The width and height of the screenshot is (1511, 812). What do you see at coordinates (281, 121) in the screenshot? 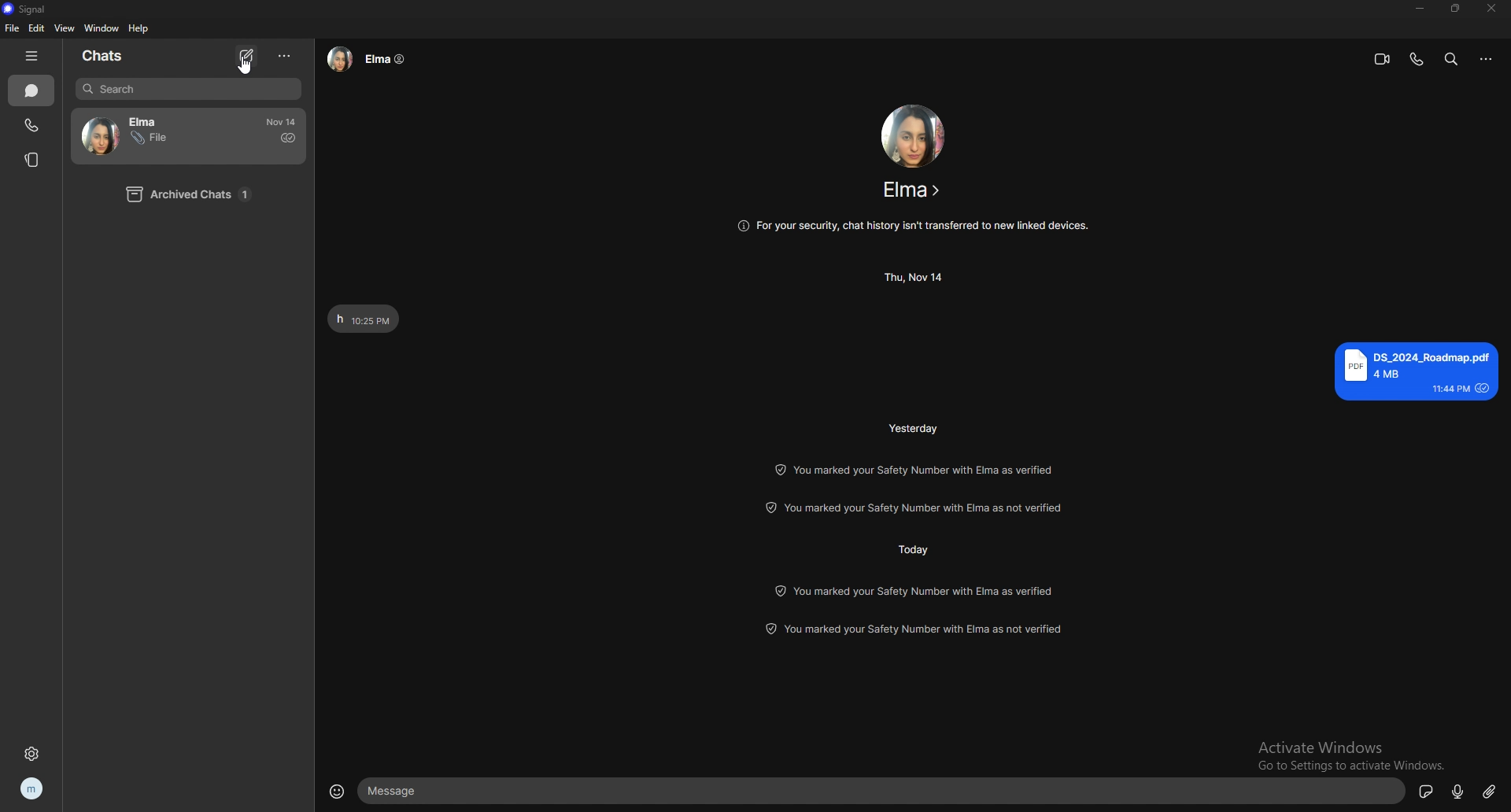
I see `date` at bounding box center [281, 121].